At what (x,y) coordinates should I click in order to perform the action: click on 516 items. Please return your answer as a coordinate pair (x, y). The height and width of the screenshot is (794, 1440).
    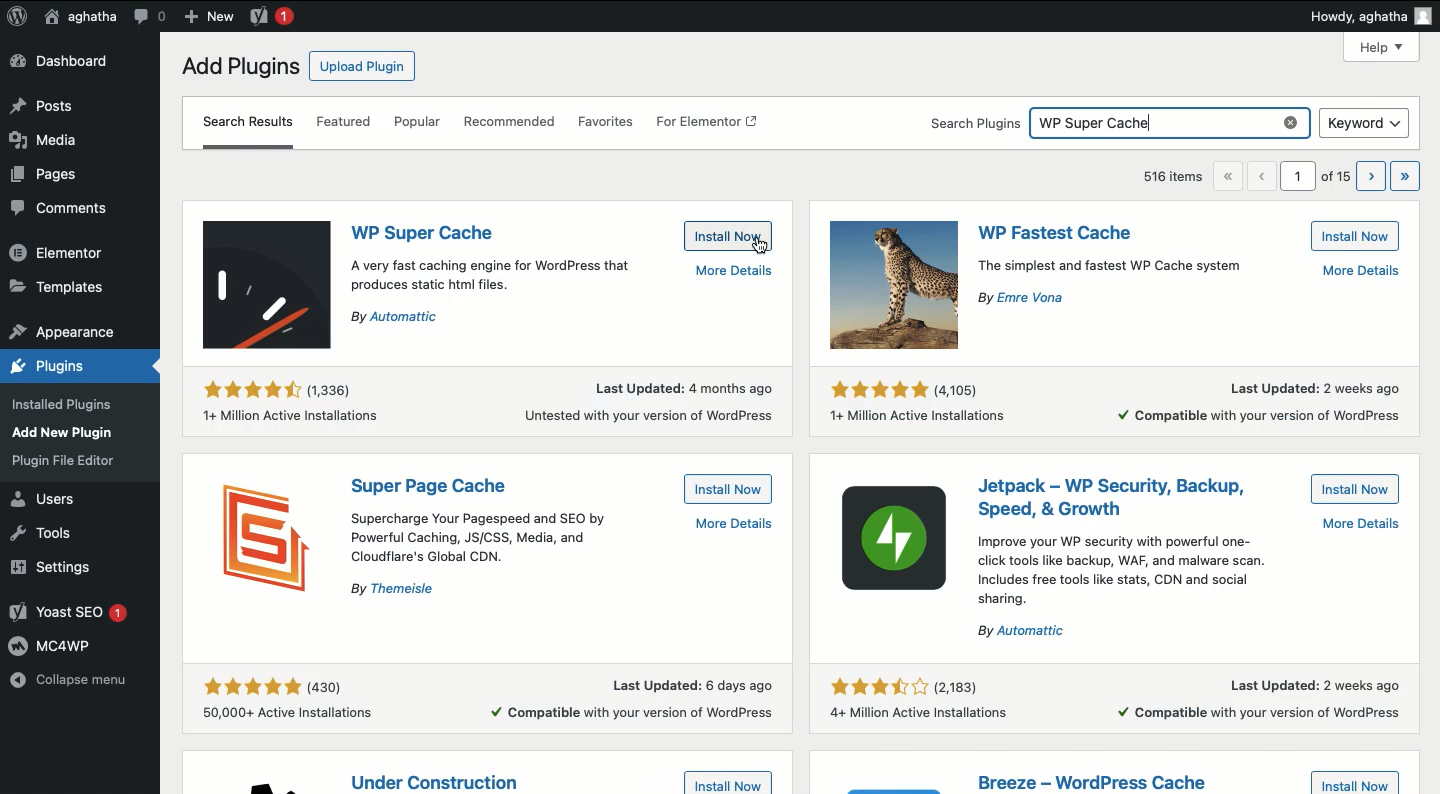
    Looking at the image, I should click on (1169, 174).